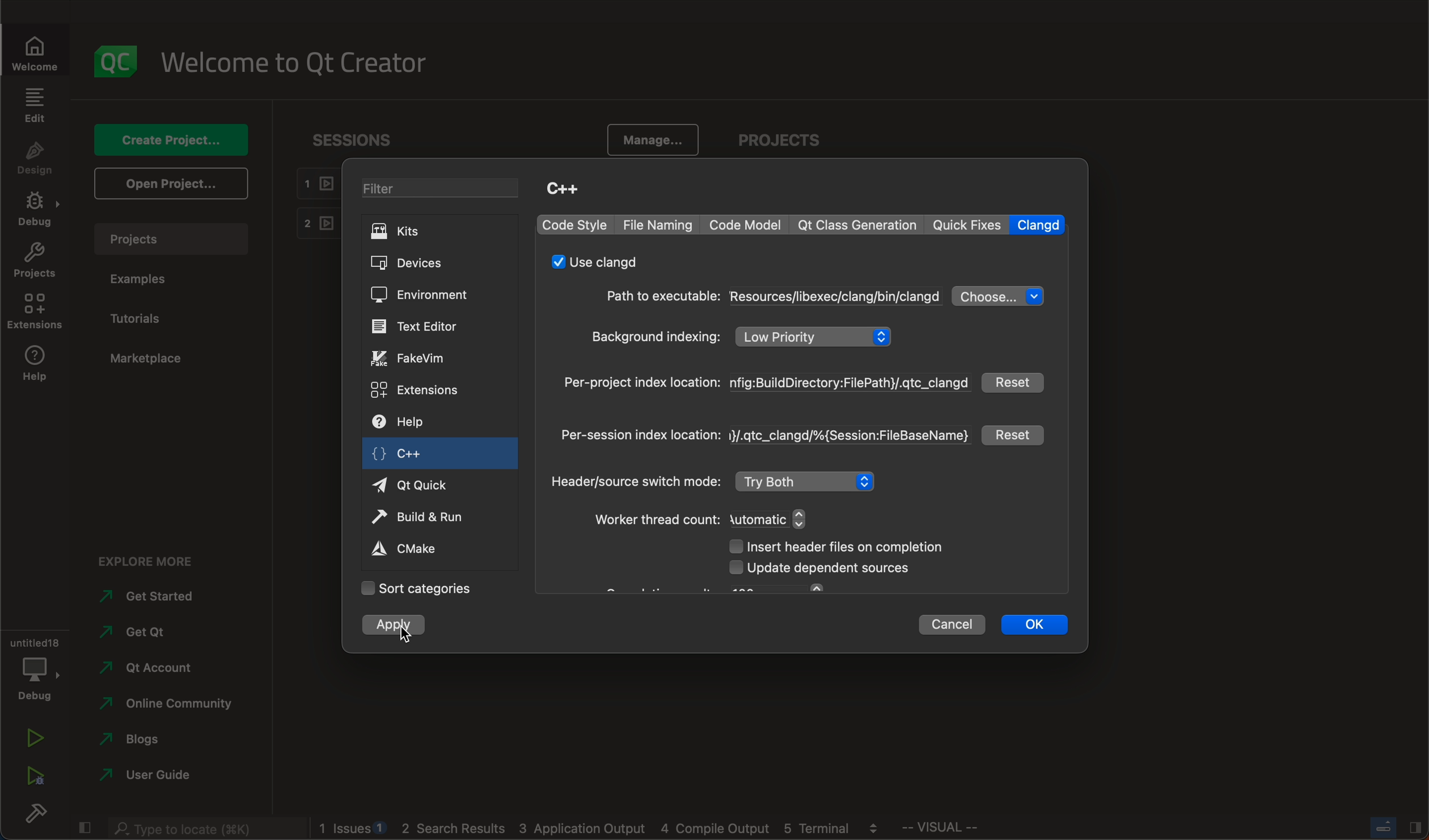 This screenshot has width=1429, height=840. I want to click on create , so click(173, 141).